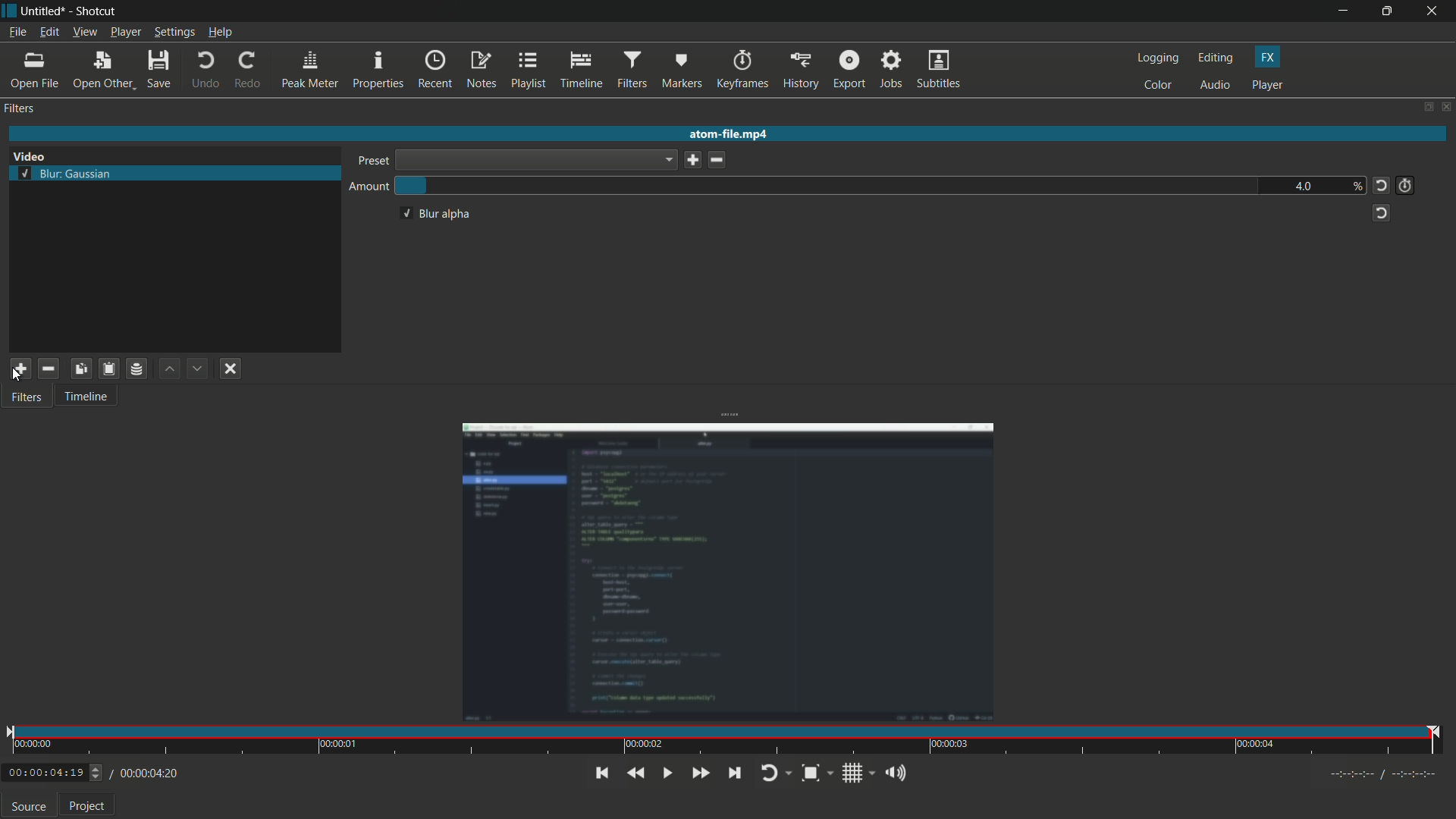  Describe the element at coordinates (89, 806) in the screenshot. I see `project` at that location.